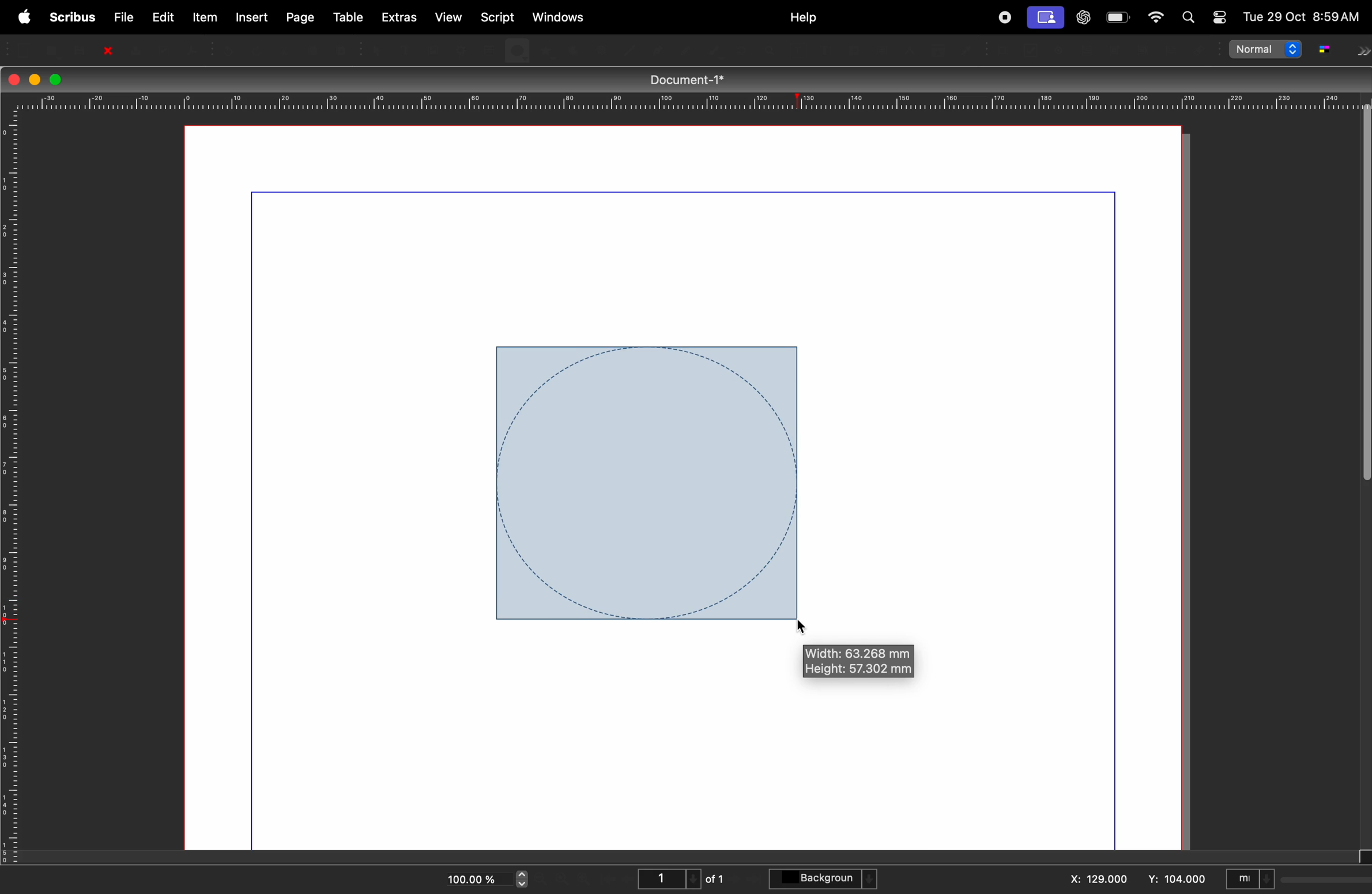  I want to click on edit text with story editor, so click(825, 50).